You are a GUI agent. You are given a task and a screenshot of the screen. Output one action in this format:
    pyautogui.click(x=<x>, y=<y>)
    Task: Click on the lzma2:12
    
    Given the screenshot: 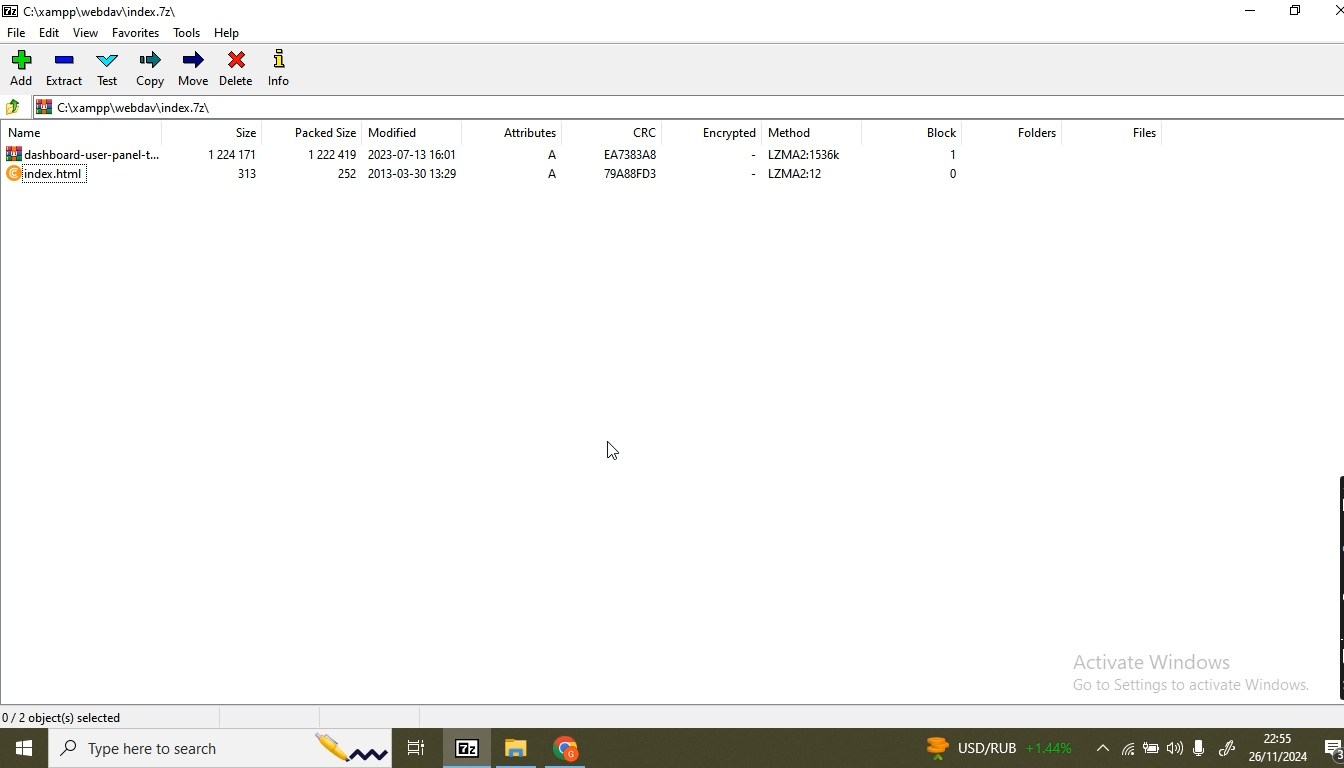 What is the action you would take?
    pyautogui.click(x=802, y=176)
    